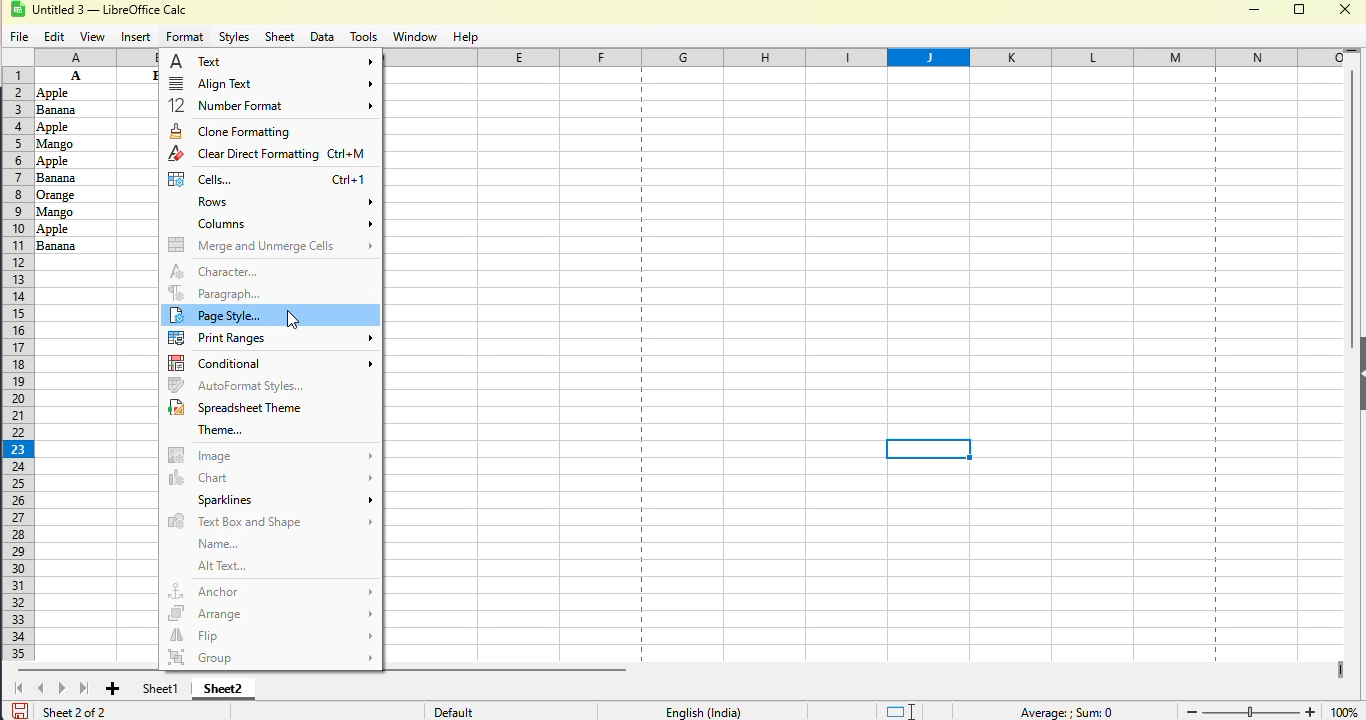  I want to click on Untitled 3 -- (LibreOffice Calc), so click(114, 11).